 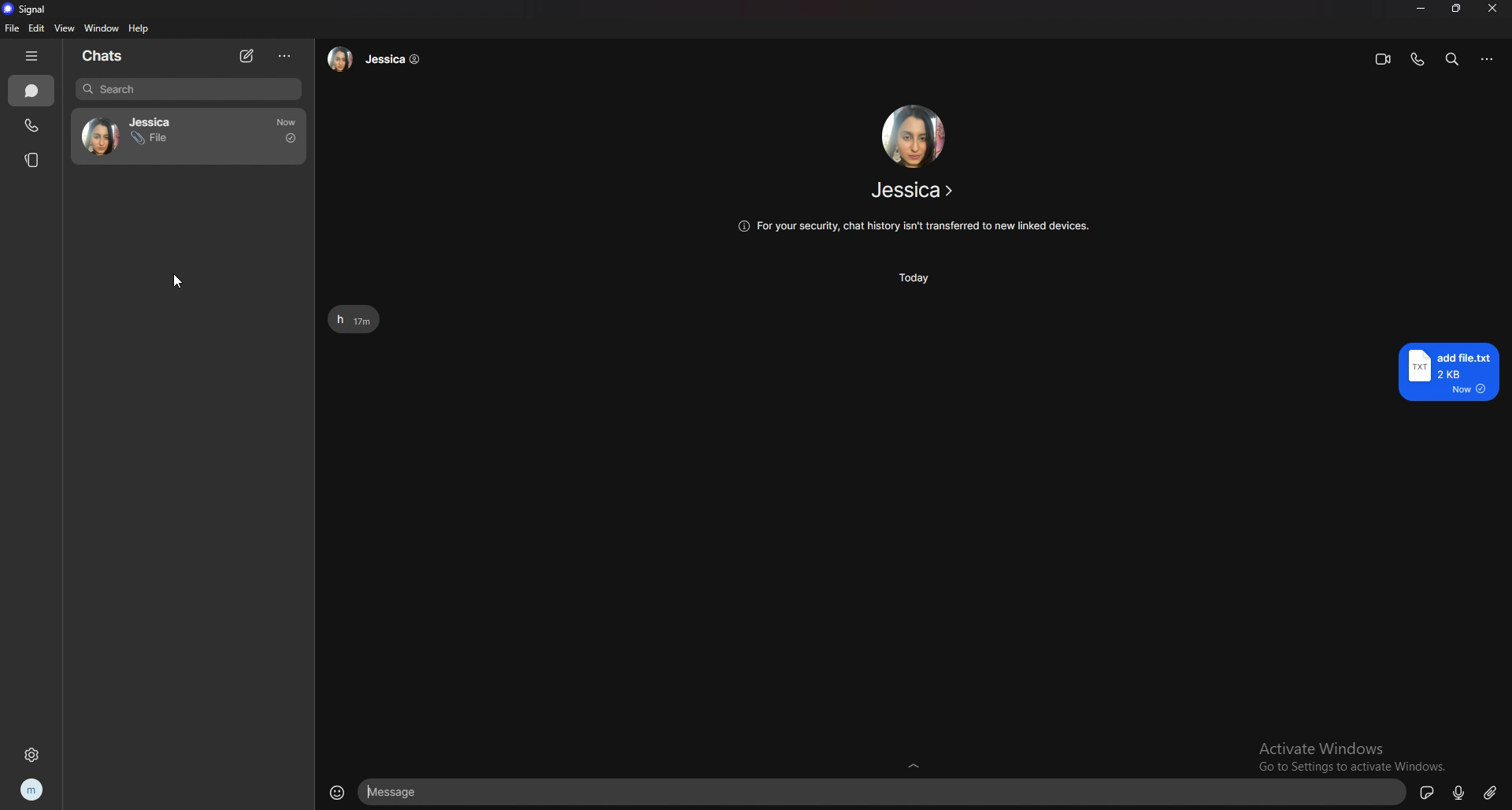 What do you see at coordinates (31, 755) in the screenshot?
I see `settings` at bounding box center [31, 755].